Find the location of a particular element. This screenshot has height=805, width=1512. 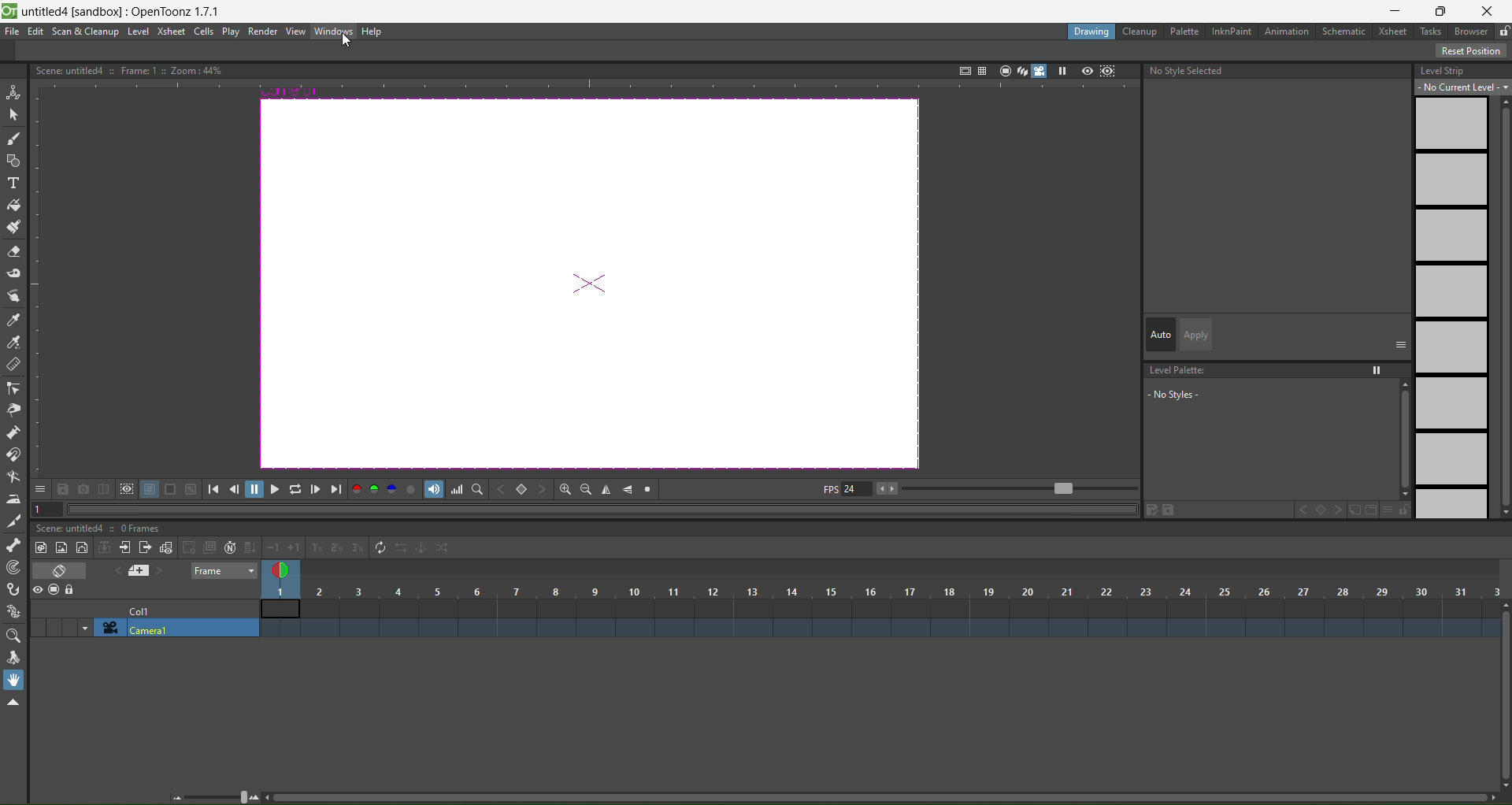

selection tool is located at coordinates (14, 113).